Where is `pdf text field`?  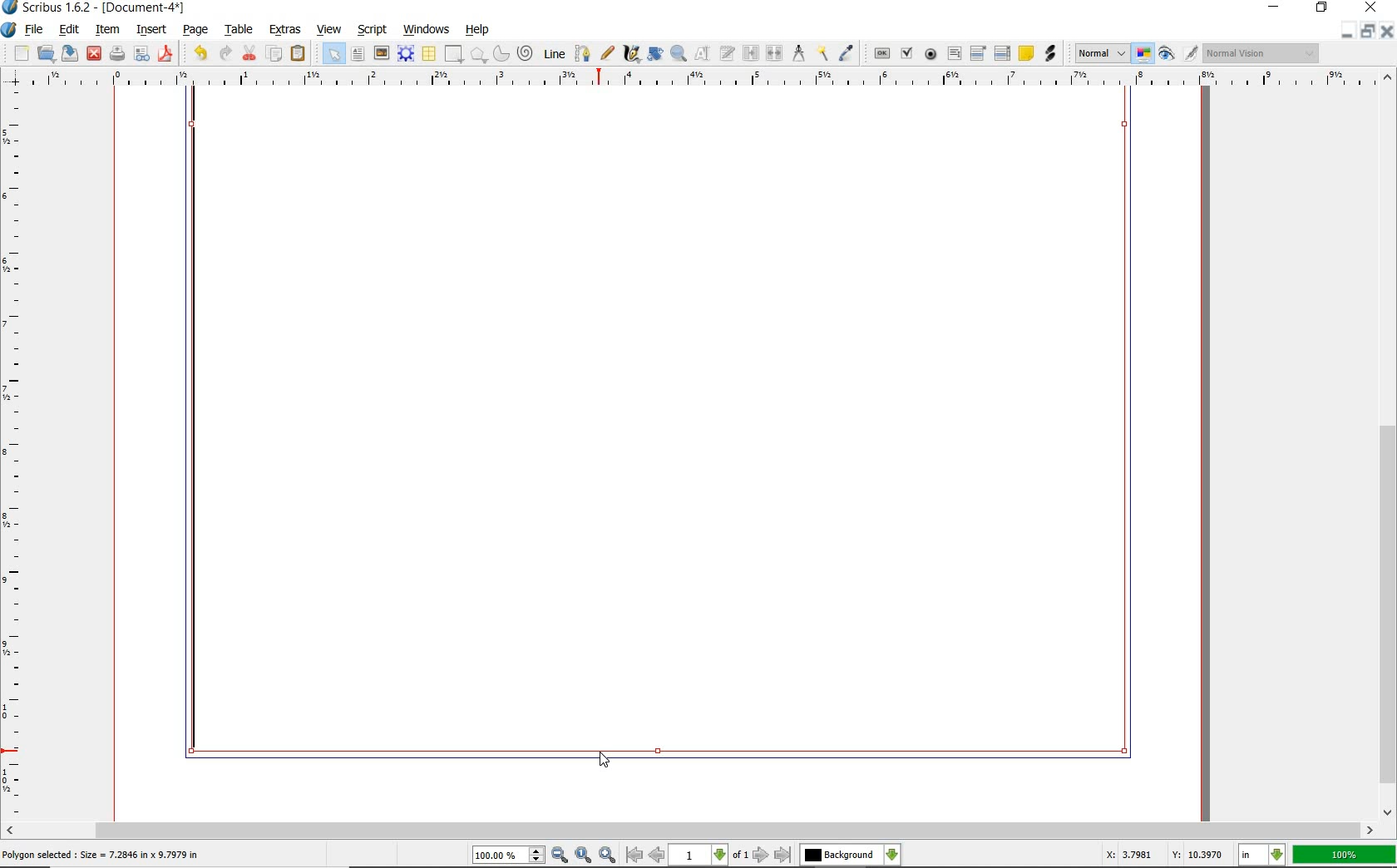
pdf text field is located at coordinates (954, 53).